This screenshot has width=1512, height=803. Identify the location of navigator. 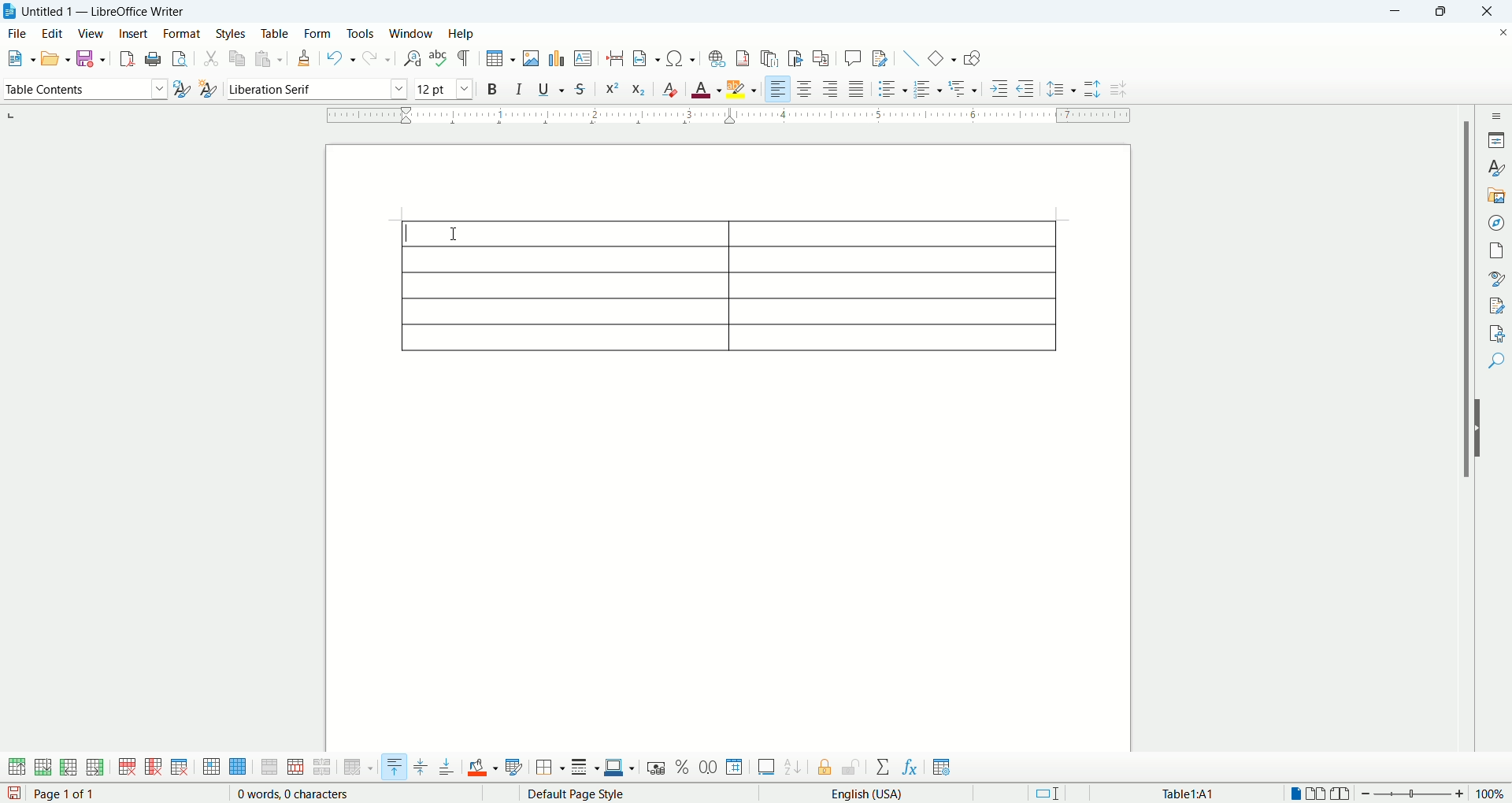
(1496, 223).